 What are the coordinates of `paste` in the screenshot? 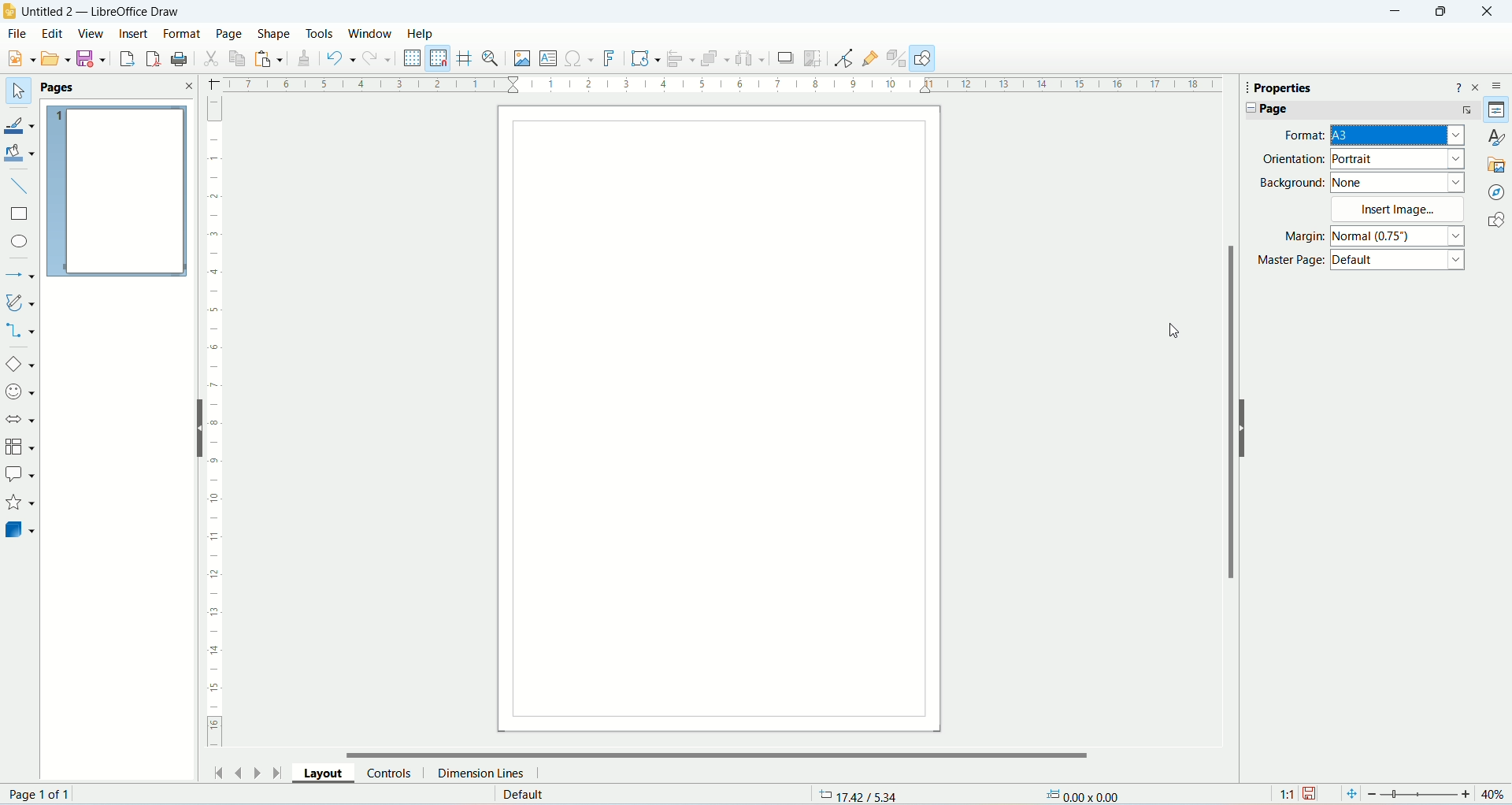 It's located at (272, 59).